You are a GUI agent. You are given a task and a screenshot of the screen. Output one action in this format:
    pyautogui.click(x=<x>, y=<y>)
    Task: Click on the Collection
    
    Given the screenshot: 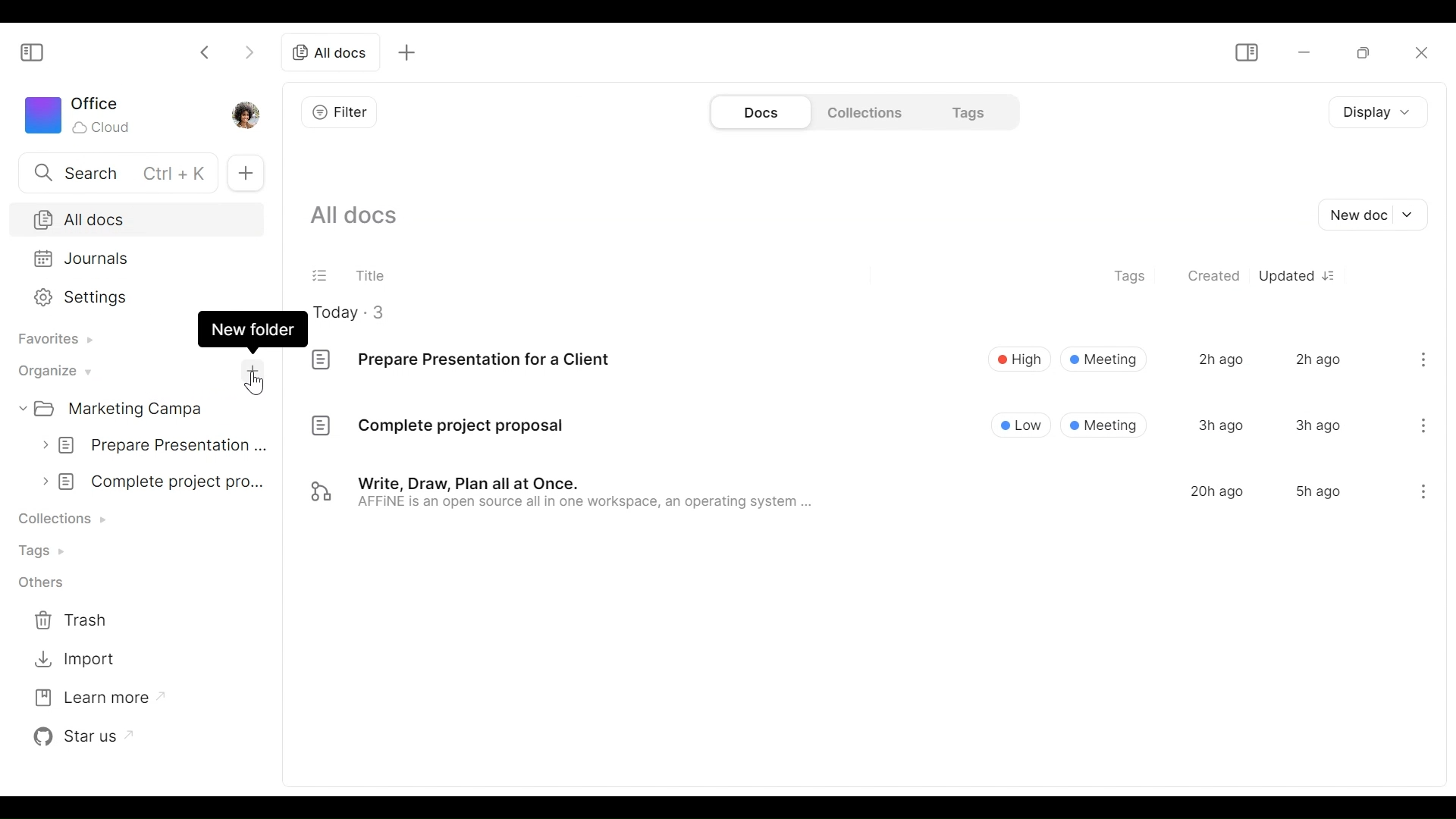 What is the action you would take?
    pyautogui.click(x=66, y=518)
    